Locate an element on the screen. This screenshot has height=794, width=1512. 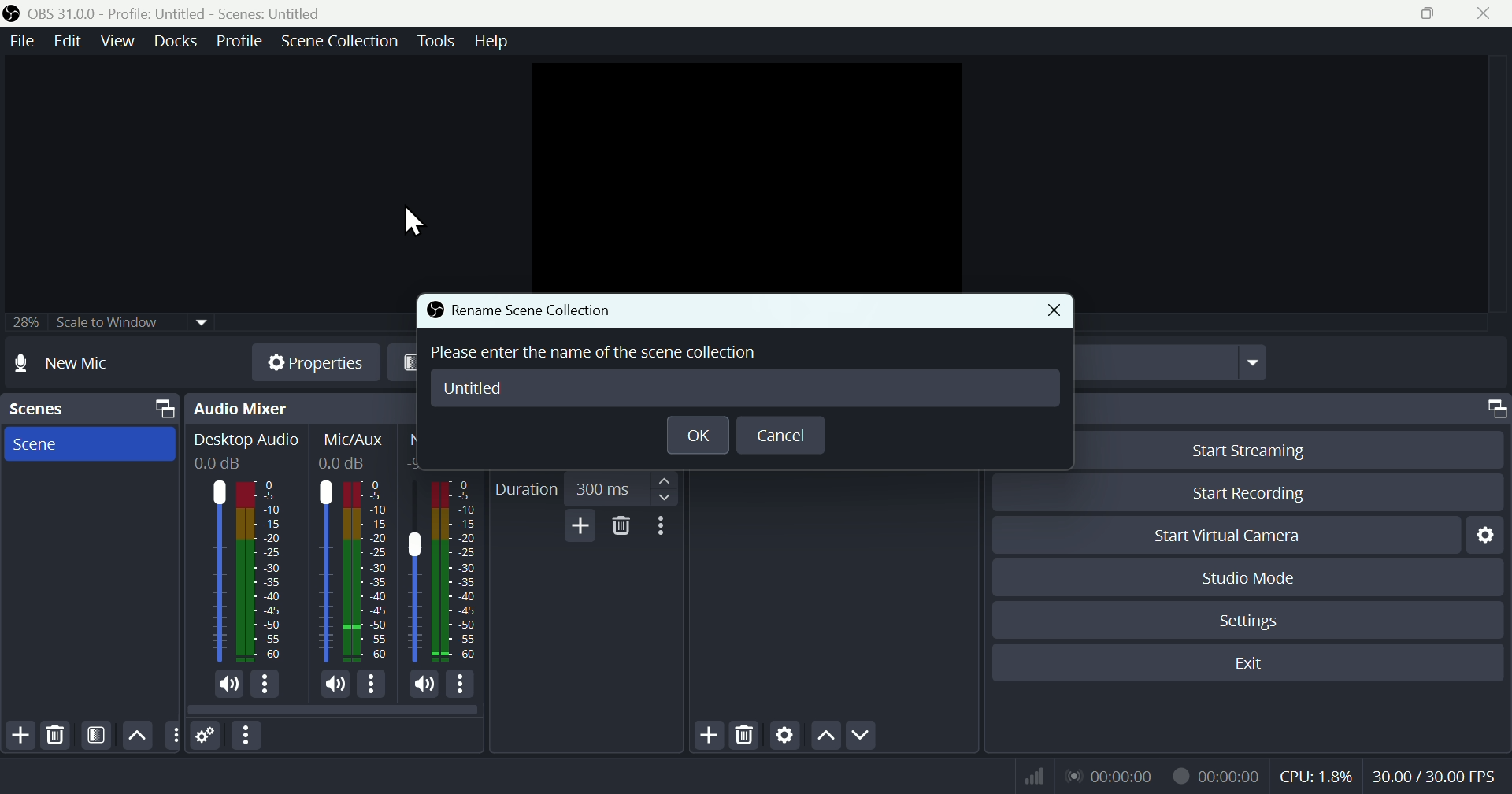
More Options is located at coordinates (373, 684).